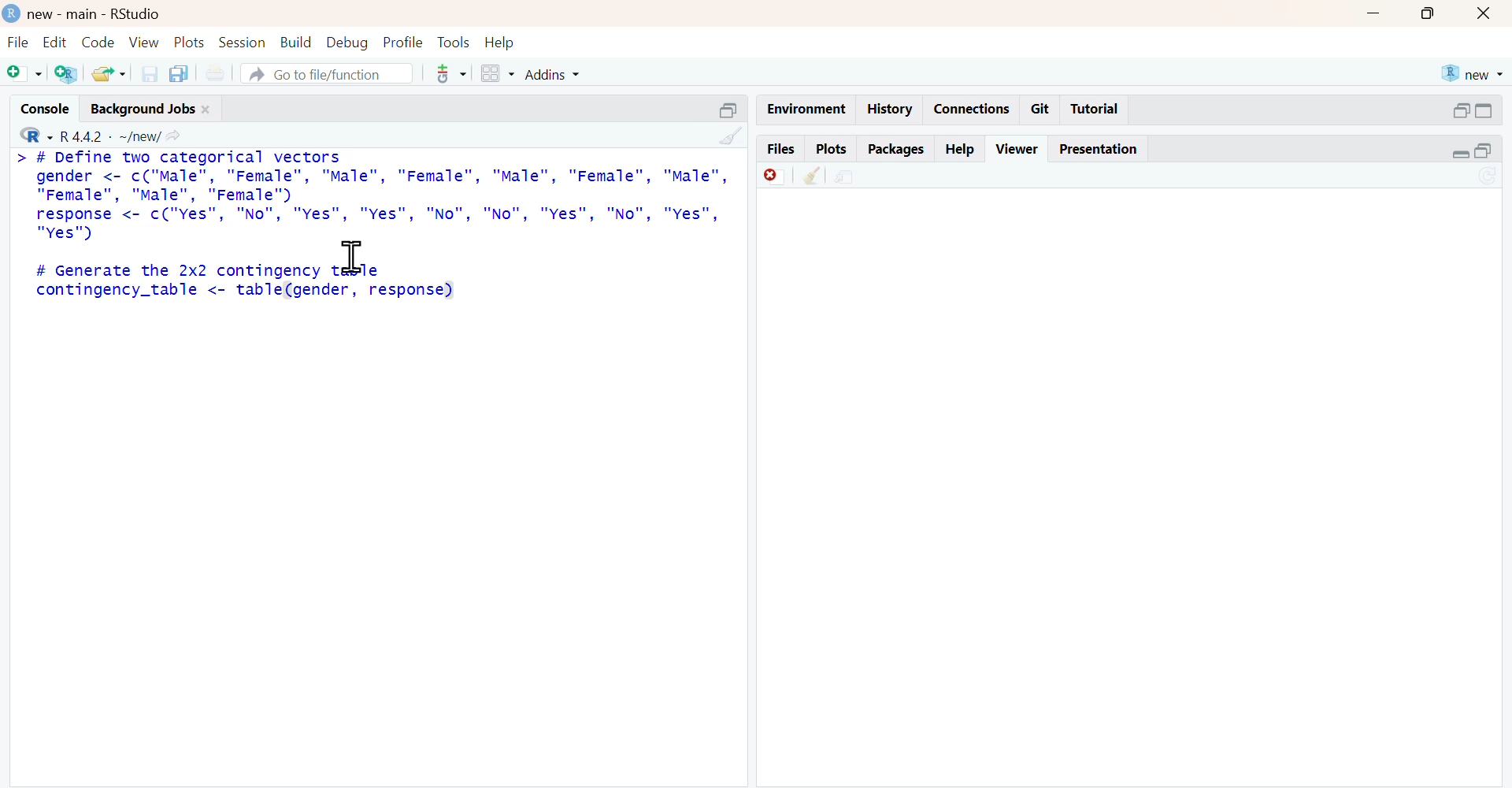  What do you see at coordinates (775, 177) in the screenshot?
I see `discard` at bounding box center [775, 177].